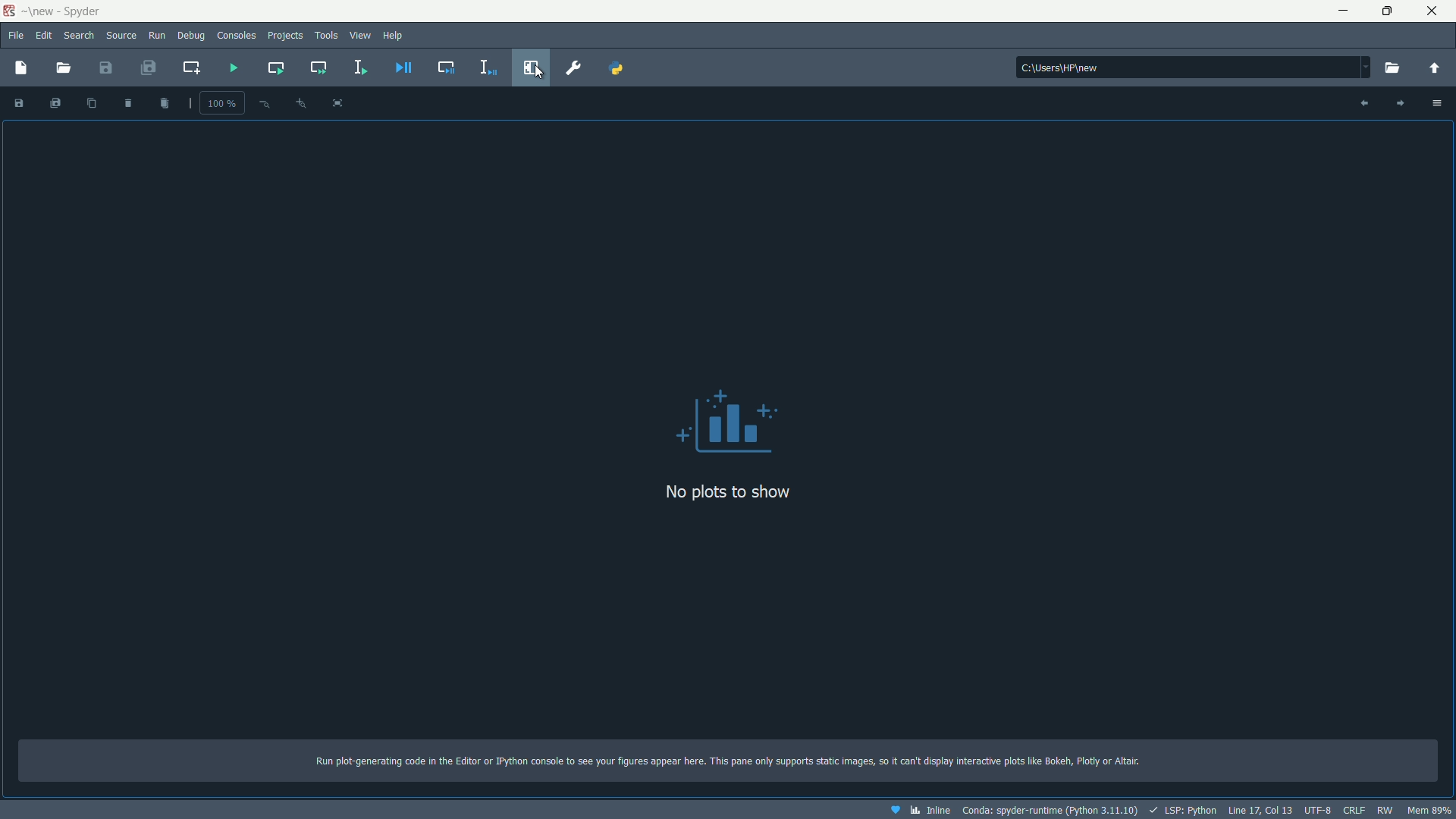 The height and width of the screenshot is (819, 1456). I want to click on debug selection, so click(486, 67).